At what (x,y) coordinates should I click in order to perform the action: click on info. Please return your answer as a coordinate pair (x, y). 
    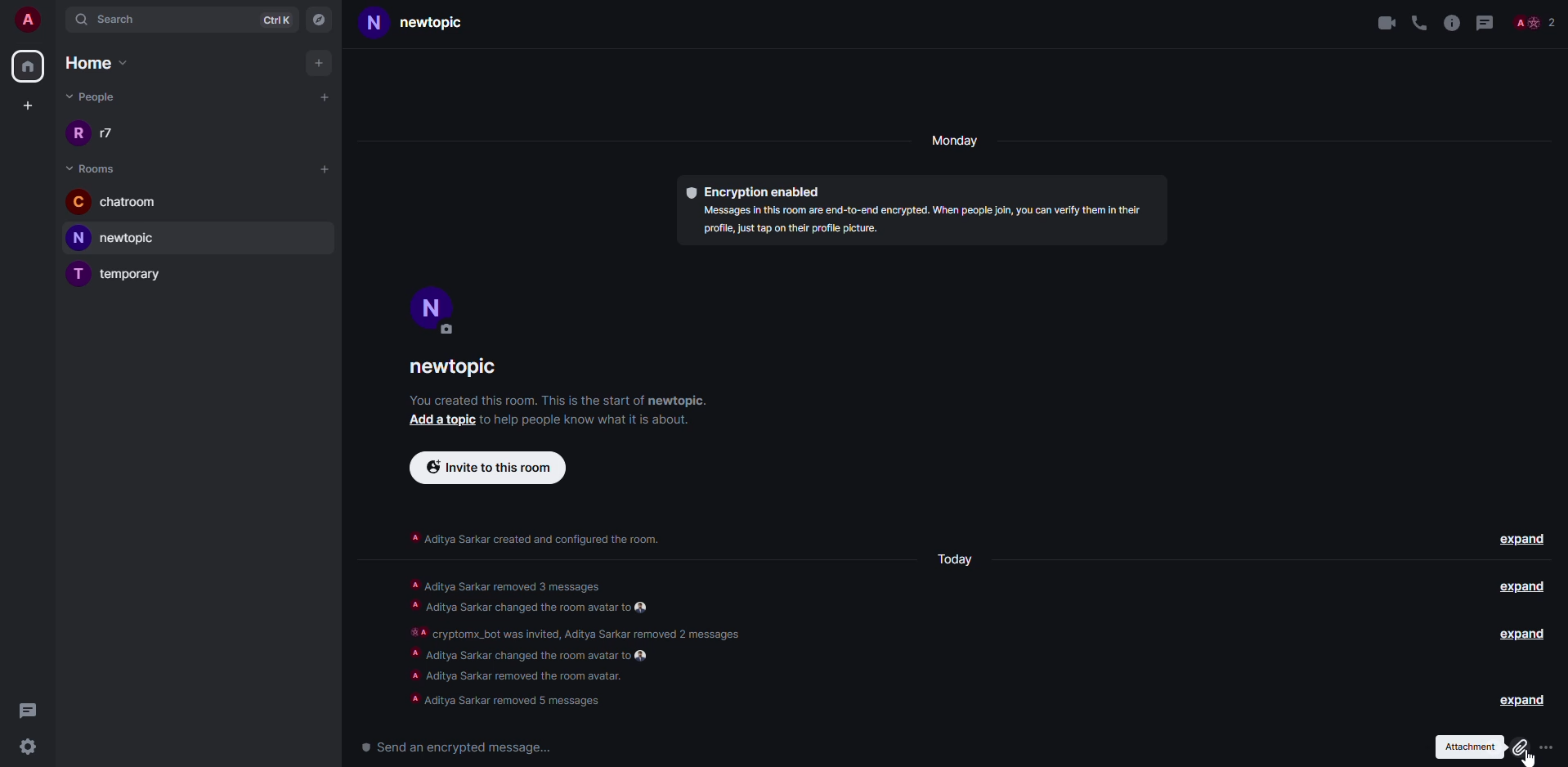
    Looking at the image, I should click on (562, 399).